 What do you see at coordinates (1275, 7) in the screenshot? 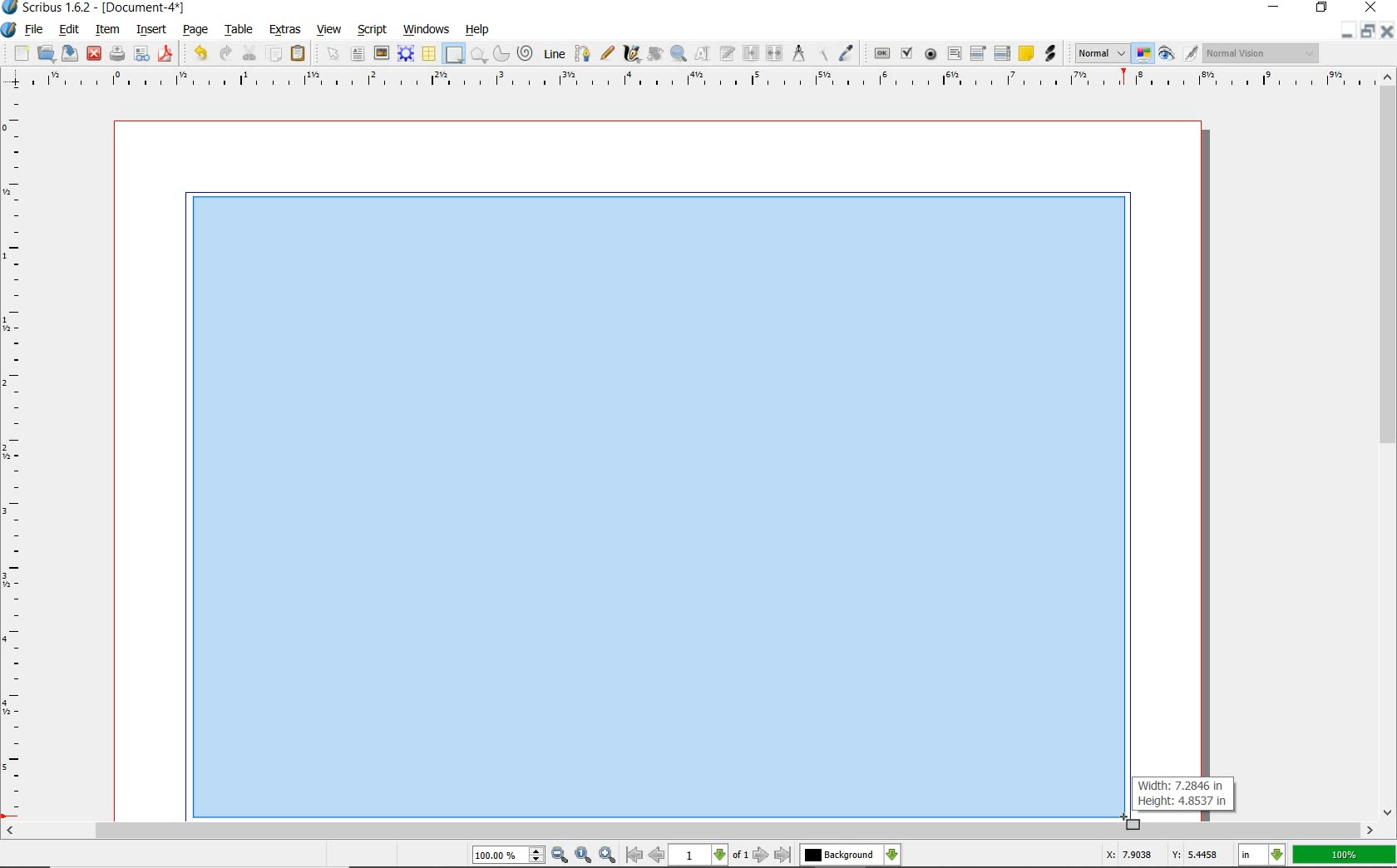
I see `minimize` at bounding box center [1275, 7].